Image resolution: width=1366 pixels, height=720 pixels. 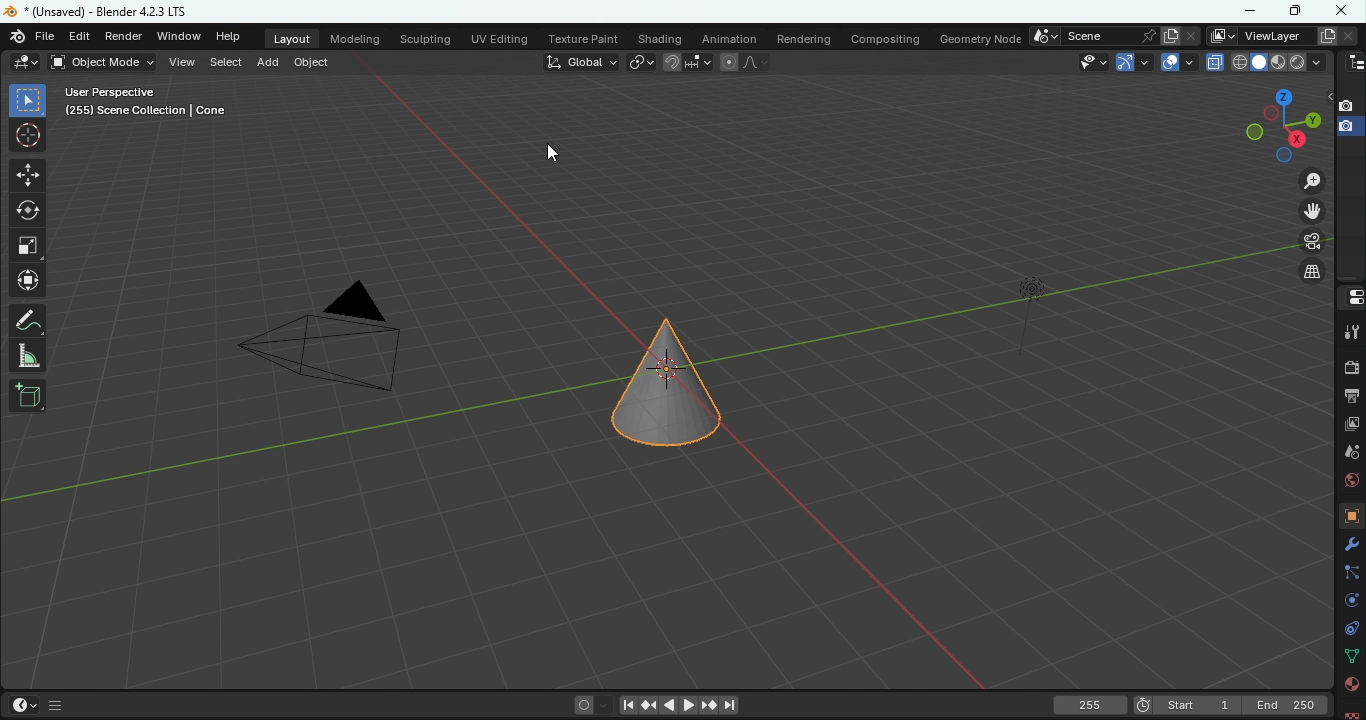 I want to click on Use preview range, so click(x=1143, y=703).